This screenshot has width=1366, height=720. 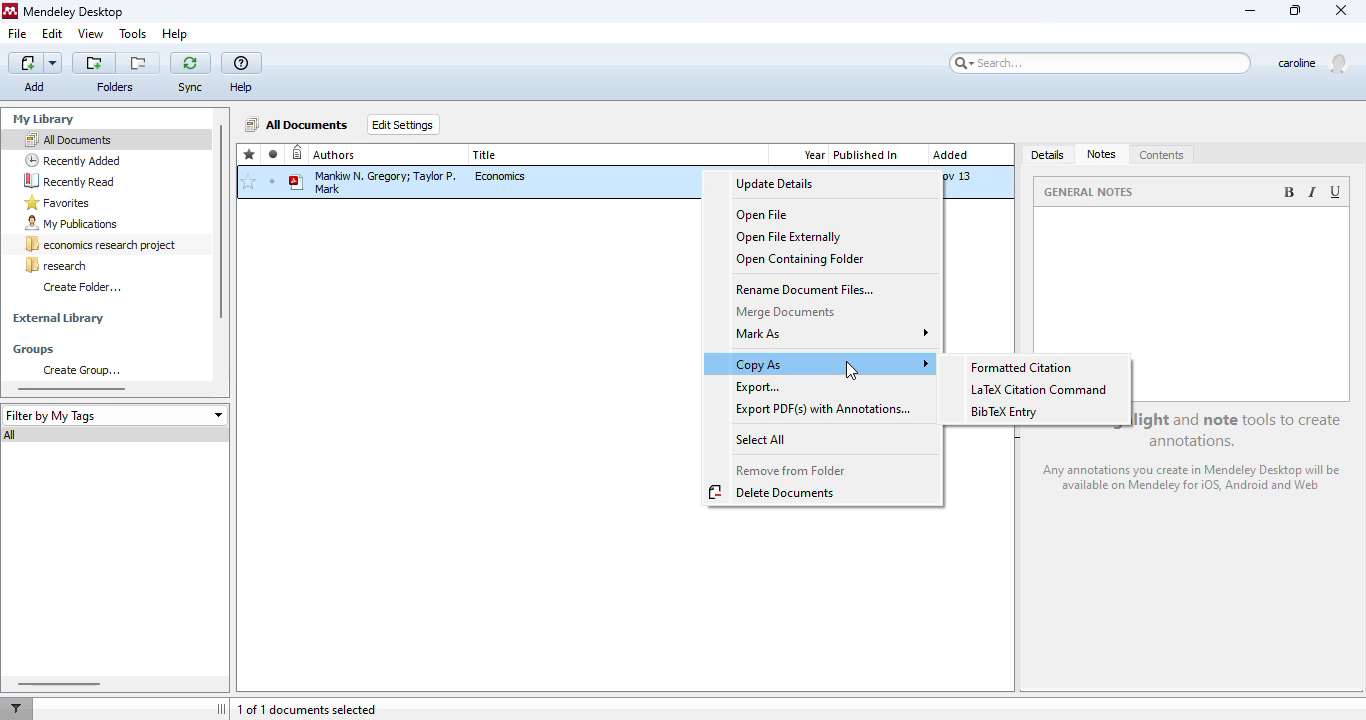 I want to click on Mankiw N. Gregor; Taylor P. Mark, so click(x=374, y=181).